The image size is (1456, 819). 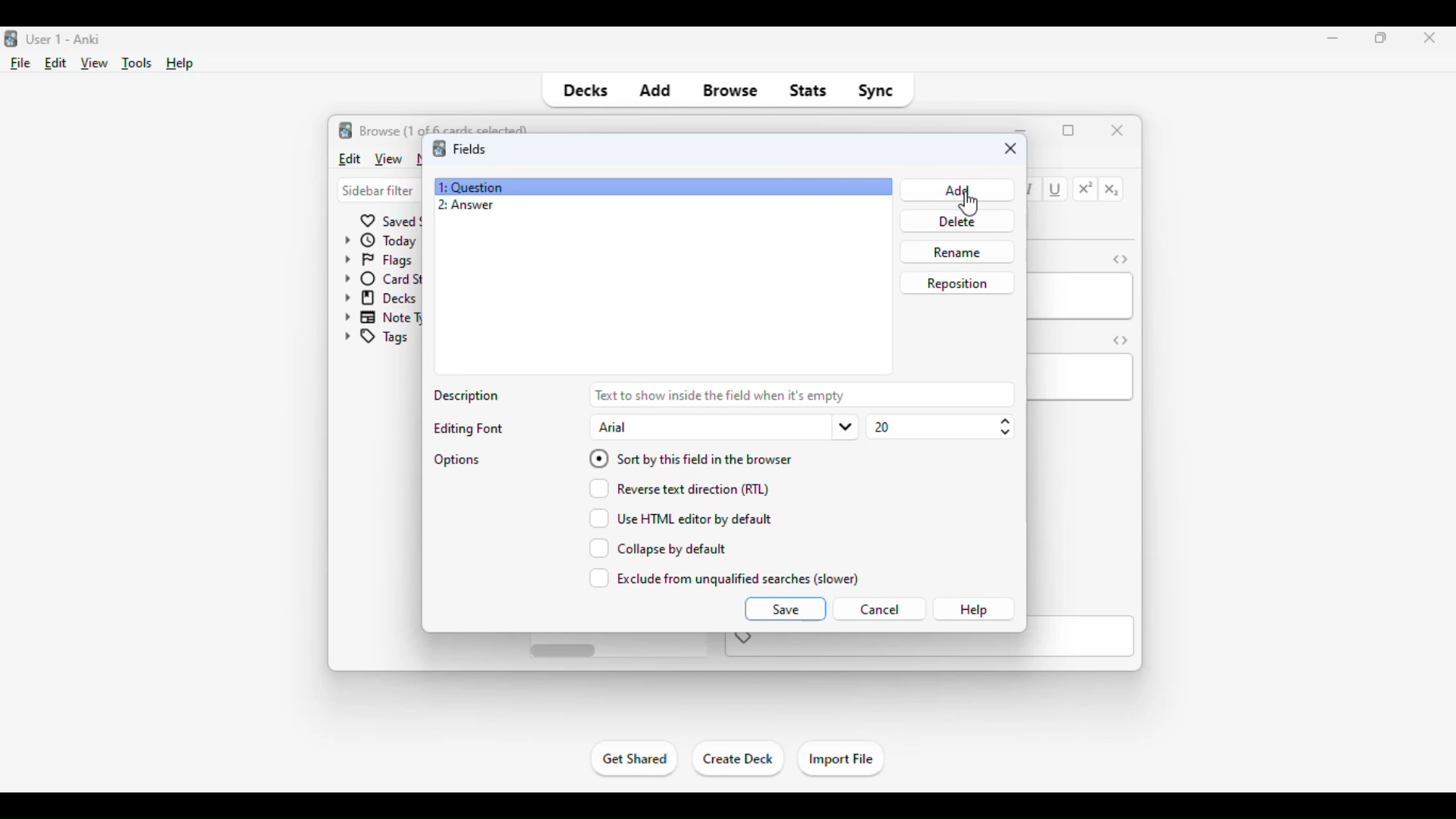 I want to click on 2: Answer, so click(x=466, y=206).